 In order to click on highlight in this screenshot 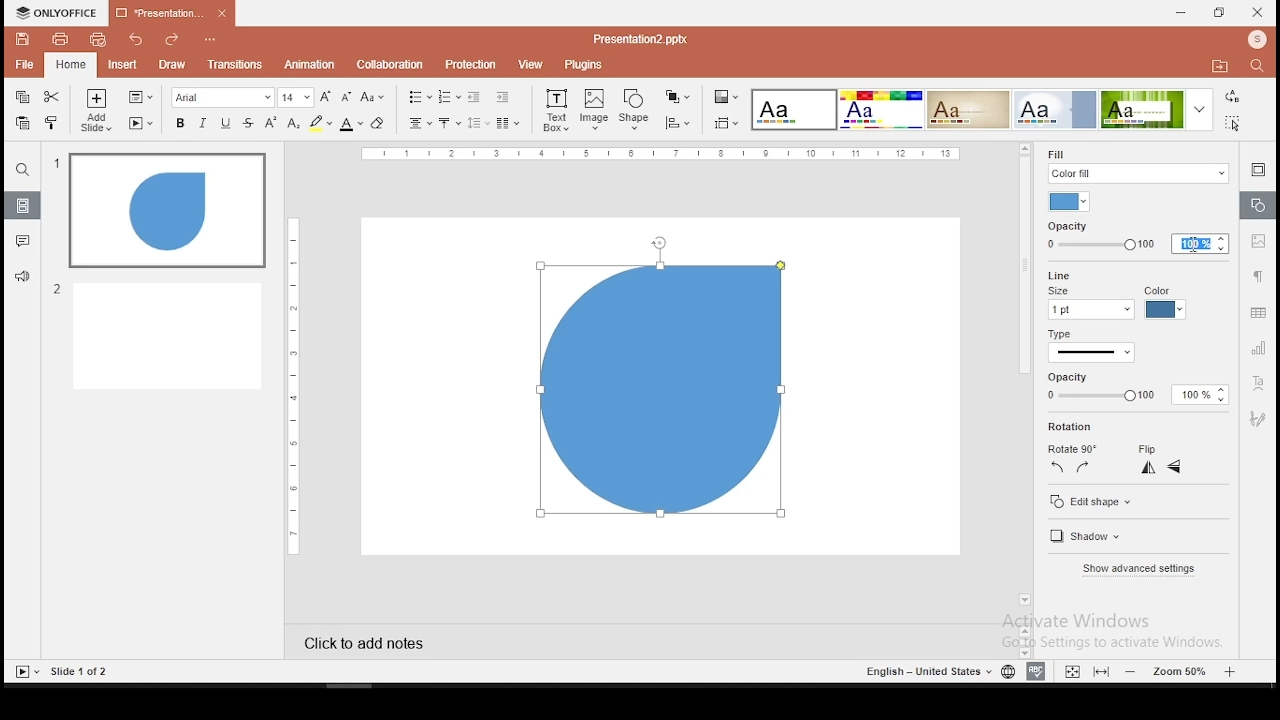, I will do `click(320, 124)`.